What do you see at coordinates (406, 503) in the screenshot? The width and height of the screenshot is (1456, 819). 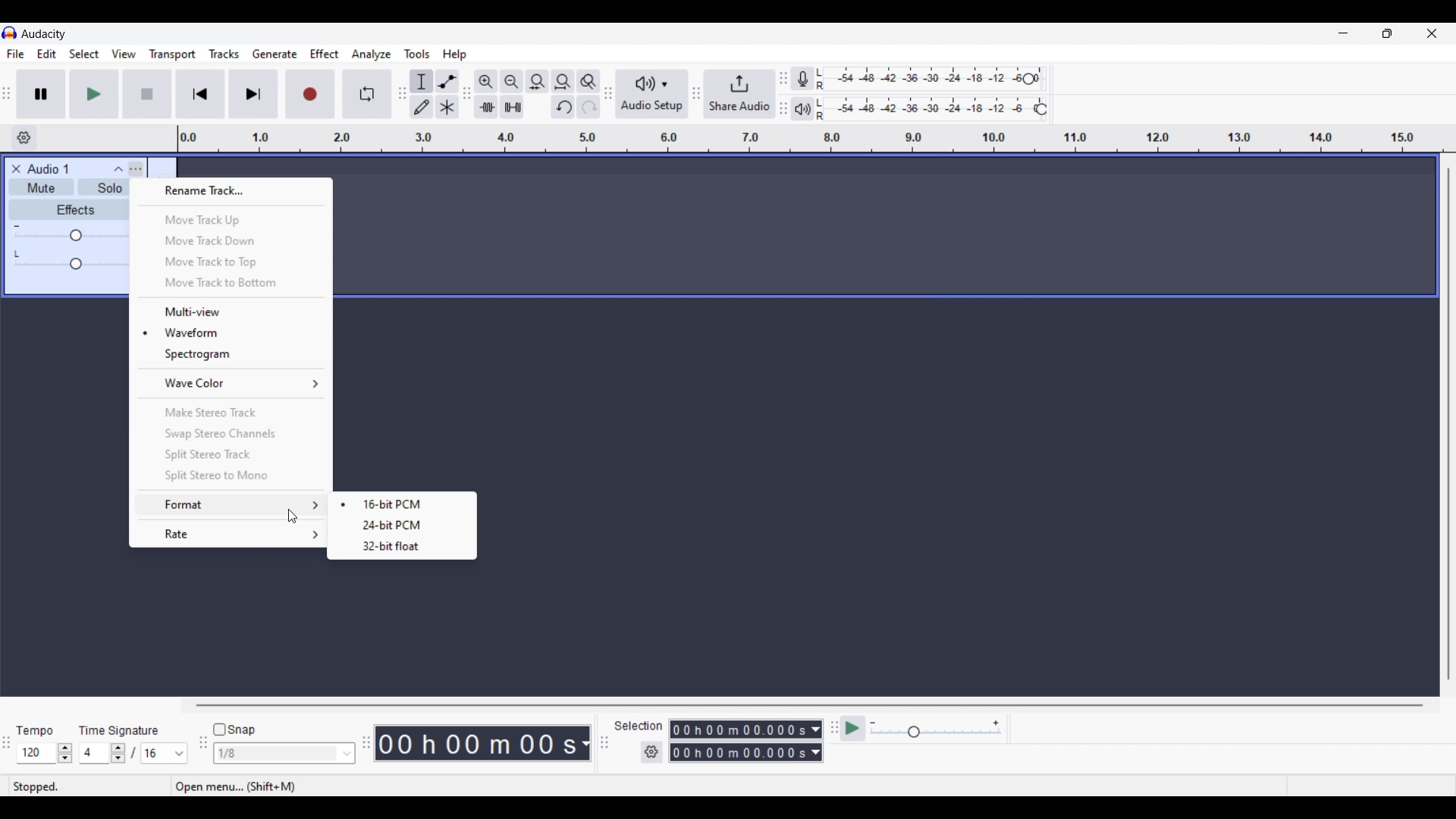 I see `Default format changes reflecting in added track` at bounding box center [406, 503].